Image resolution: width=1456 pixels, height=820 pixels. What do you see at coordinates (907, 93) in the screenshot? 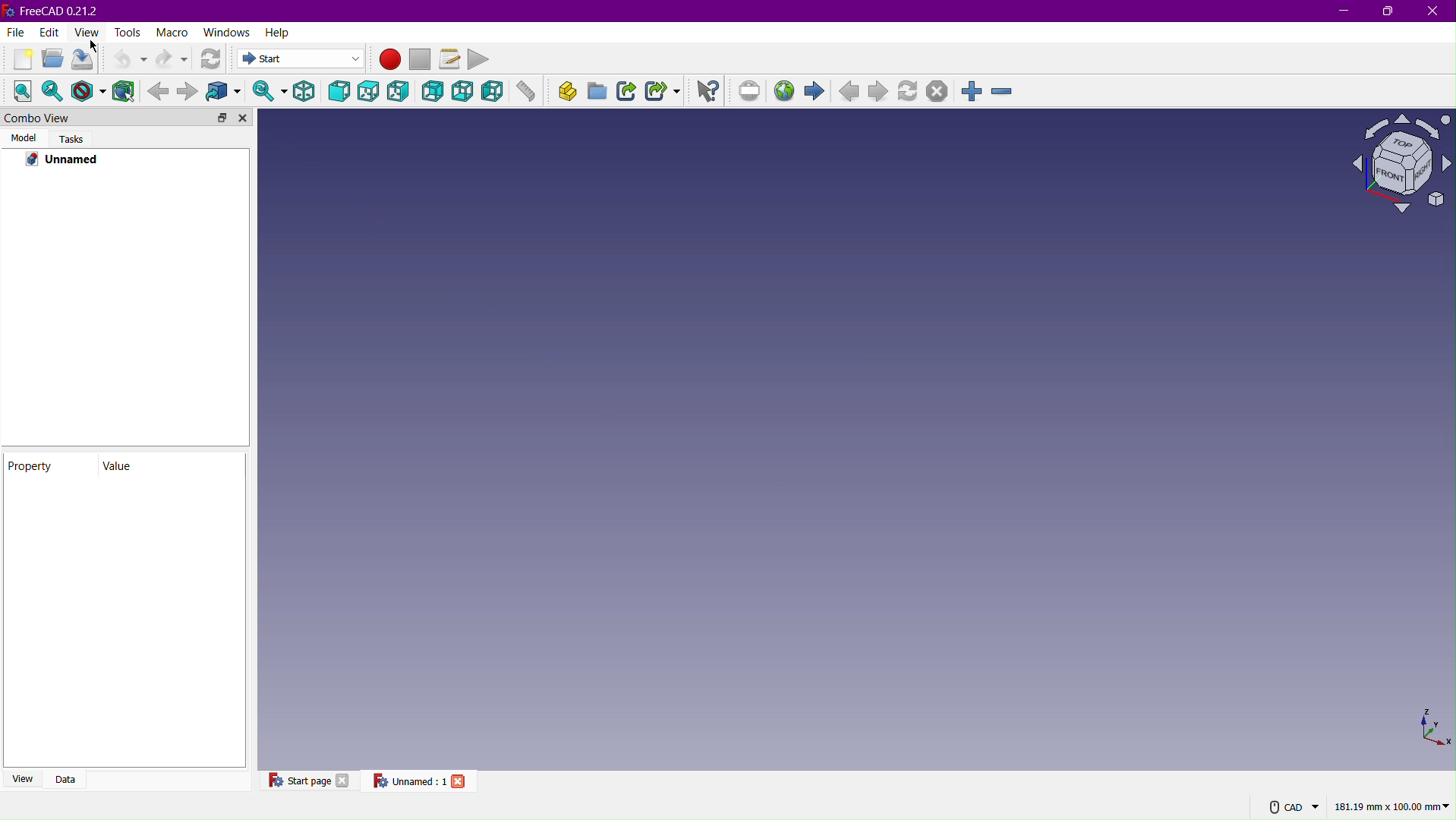
I see `Refresh page` at bounding box center [907, 93].